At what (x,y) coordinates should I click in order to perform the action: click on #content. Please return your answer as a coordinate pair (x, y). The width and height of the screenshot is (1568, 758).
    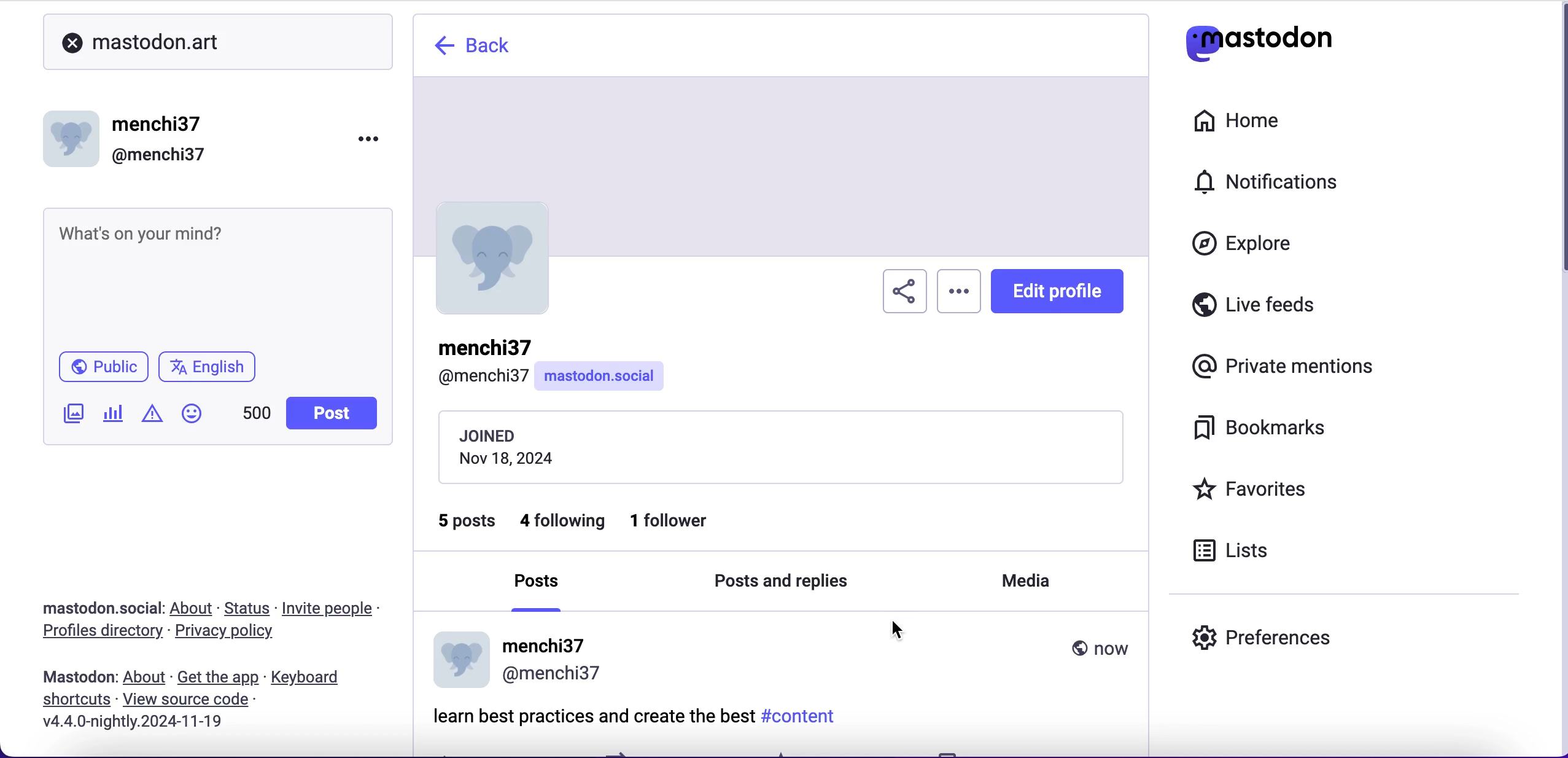
    Looking at the image, I should click on (804, 719).